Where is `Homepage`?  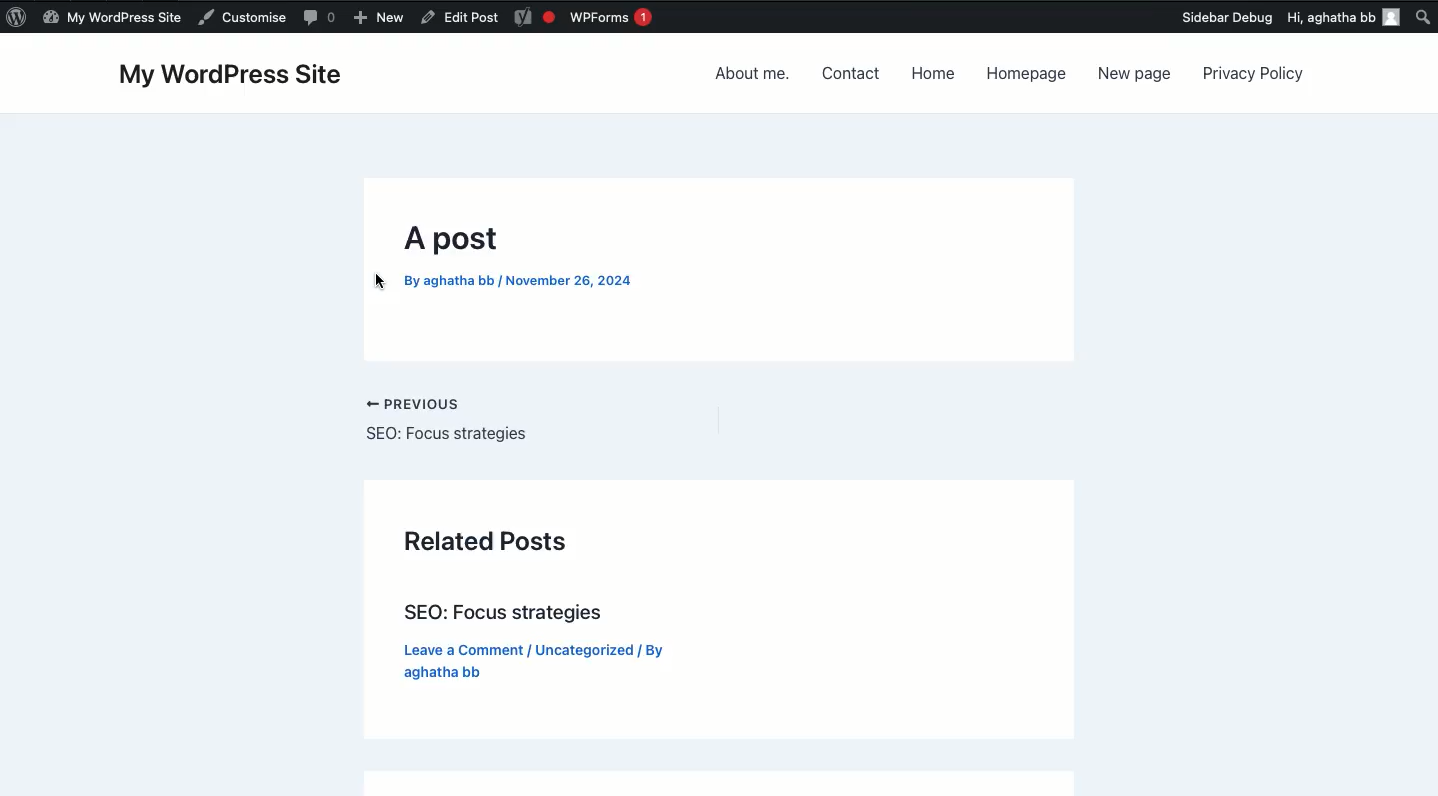 Homepage is located at coordinates (1028, 73).